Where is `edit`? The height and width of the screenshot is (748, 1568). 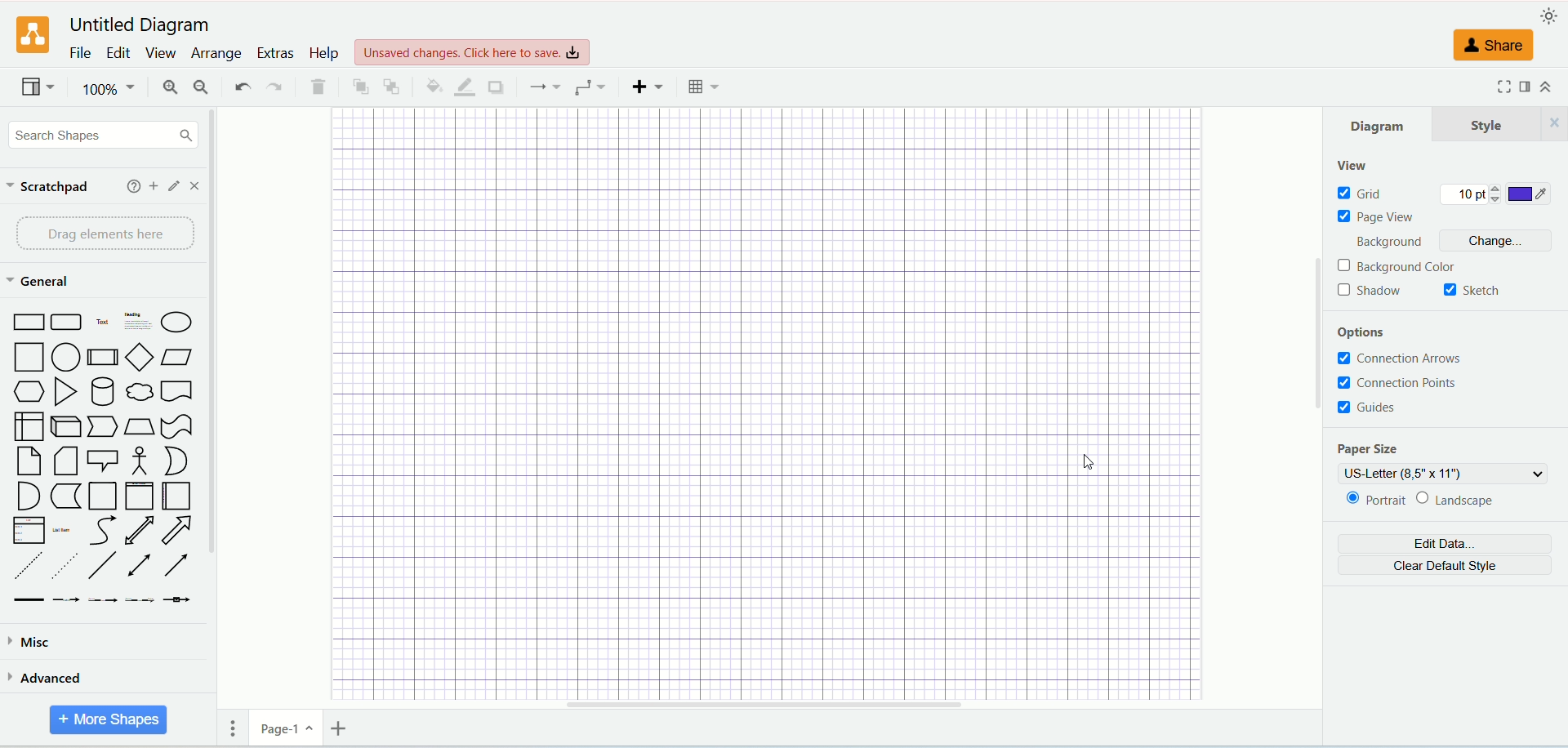
edit is located at coordinates (115, 51).